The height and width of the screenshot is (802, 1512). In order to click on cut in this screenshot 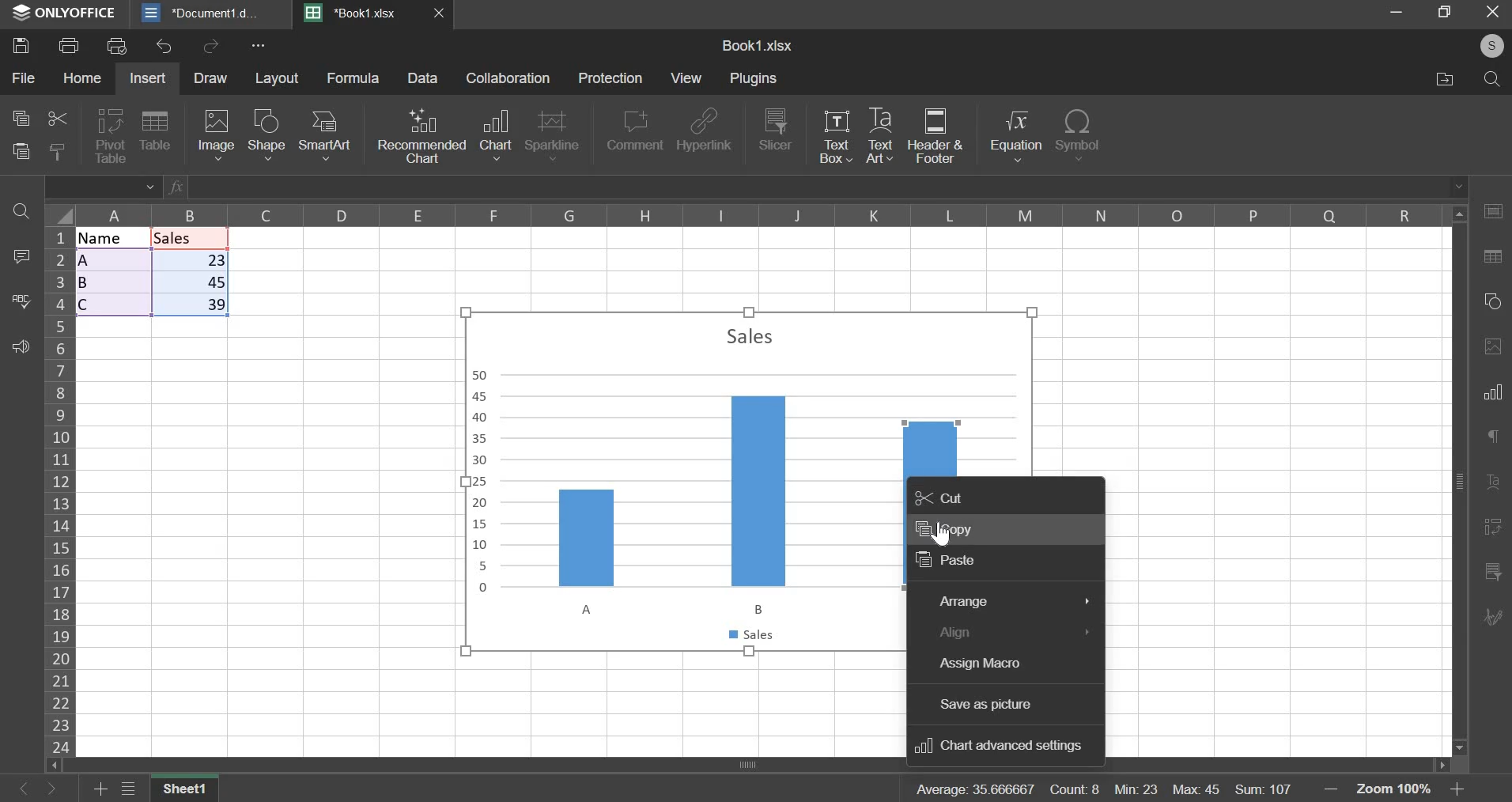, I will do `click(939, 497)`.